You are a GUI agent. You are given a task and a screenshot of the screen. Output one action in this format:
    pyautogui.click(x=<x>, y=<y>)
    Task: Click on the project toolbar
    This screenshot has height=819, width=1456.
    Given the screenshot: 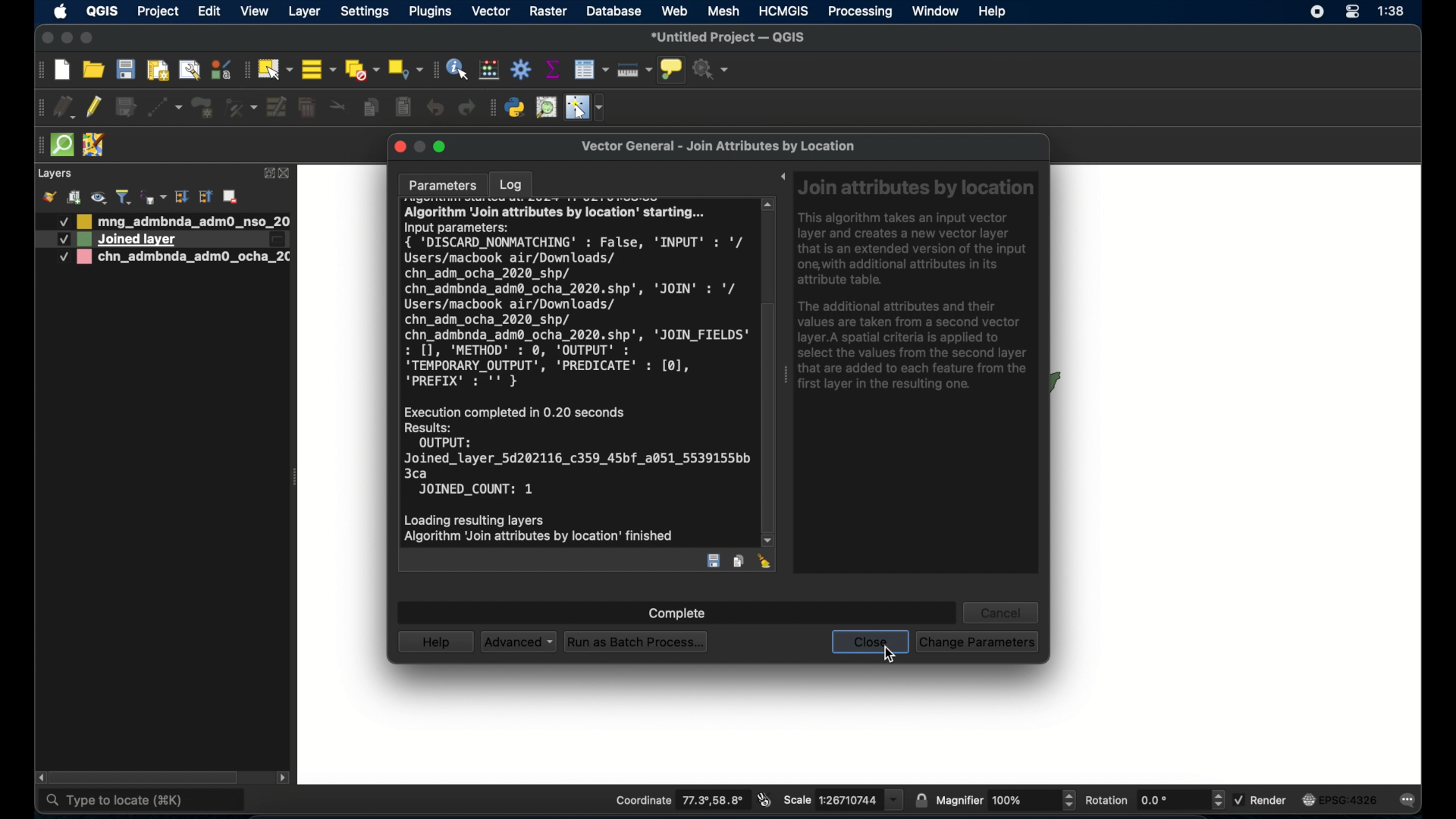 What is the action you would take?
    pyautogui.click(x=39, y=71)
    